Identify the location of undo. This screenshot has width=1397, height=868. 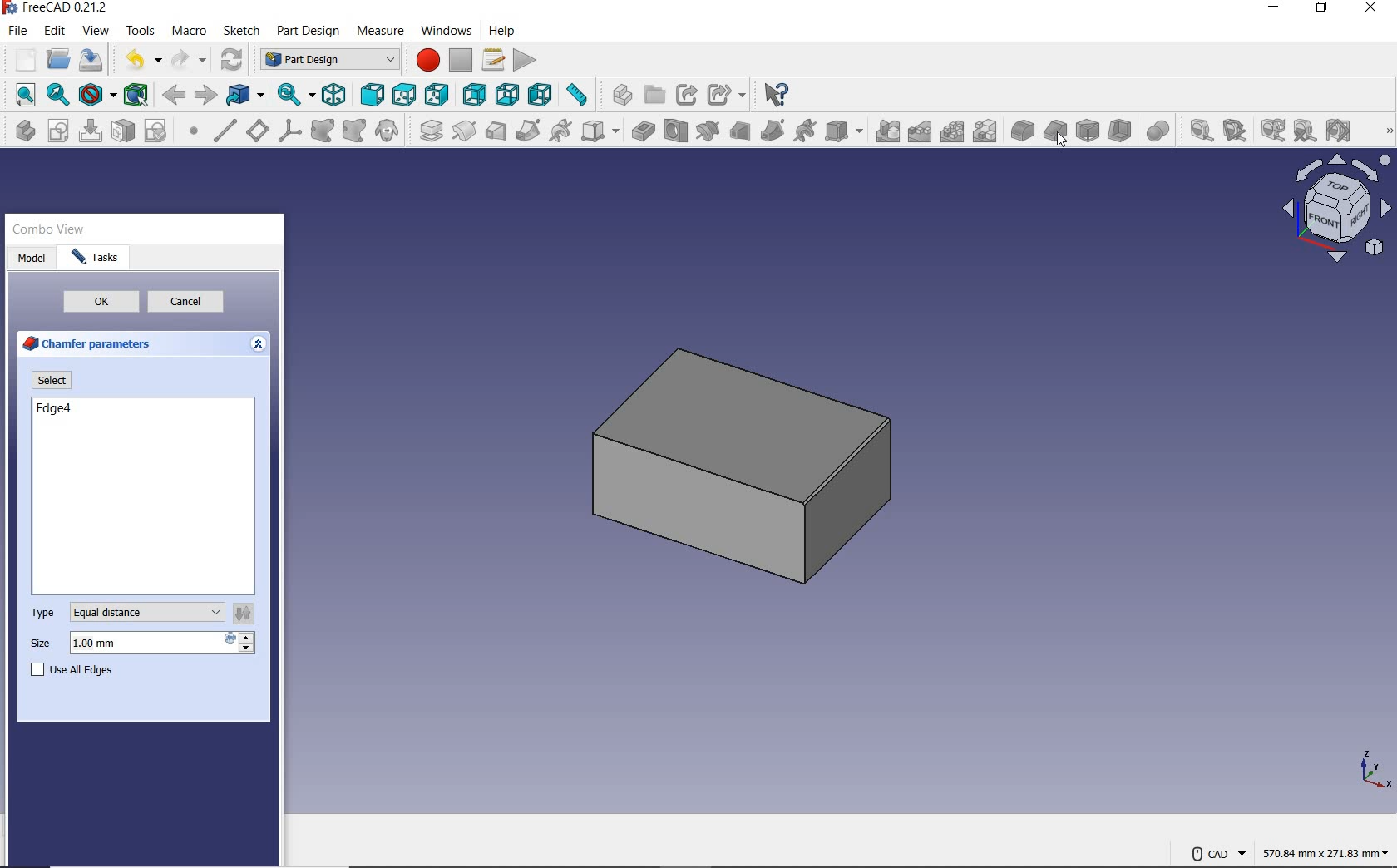
(140, 60).